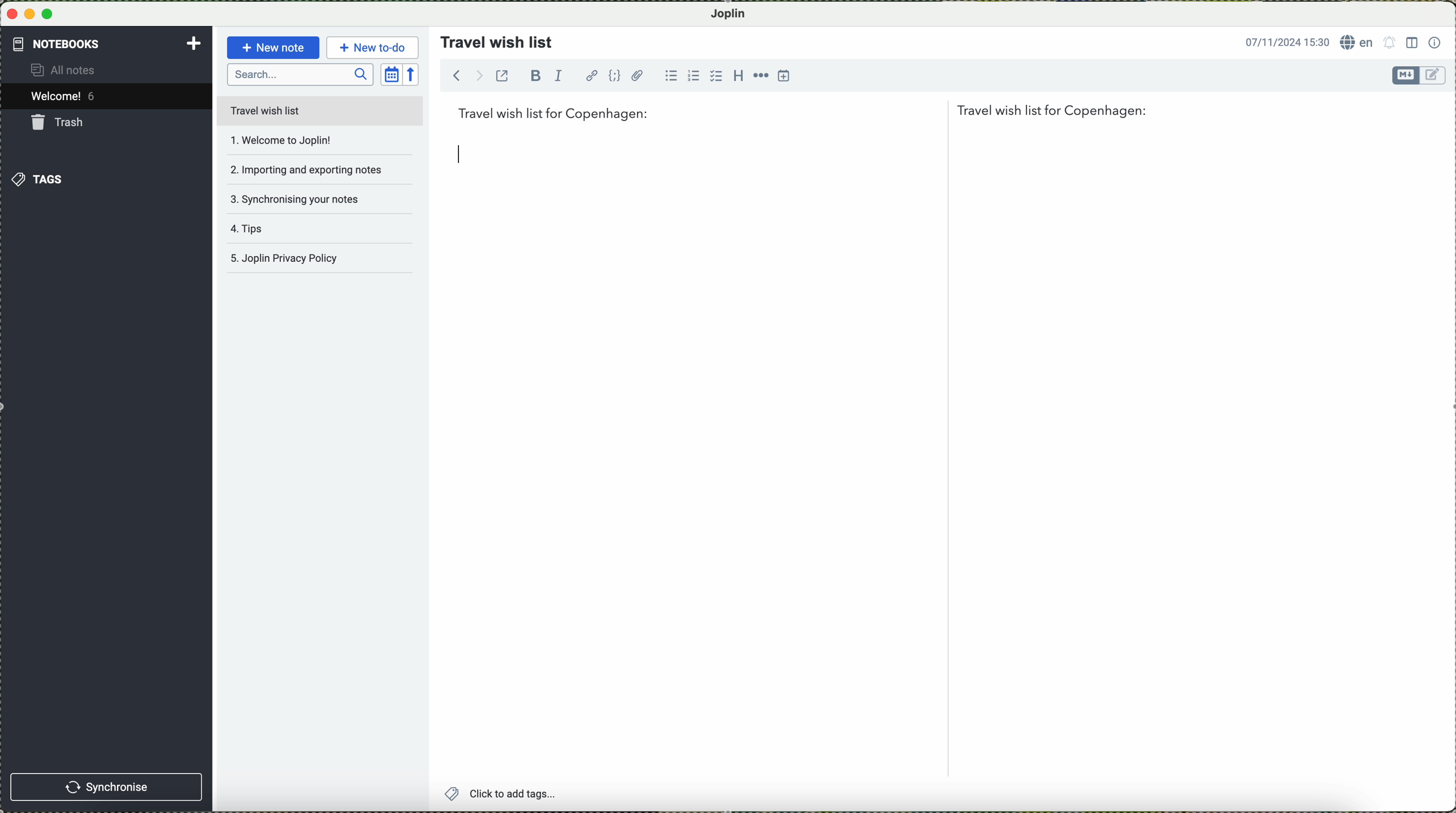 Image resolution: width=1456 pixels, height=813 pixels. I want to click on Joplin privacy policy, so click(317, 261).